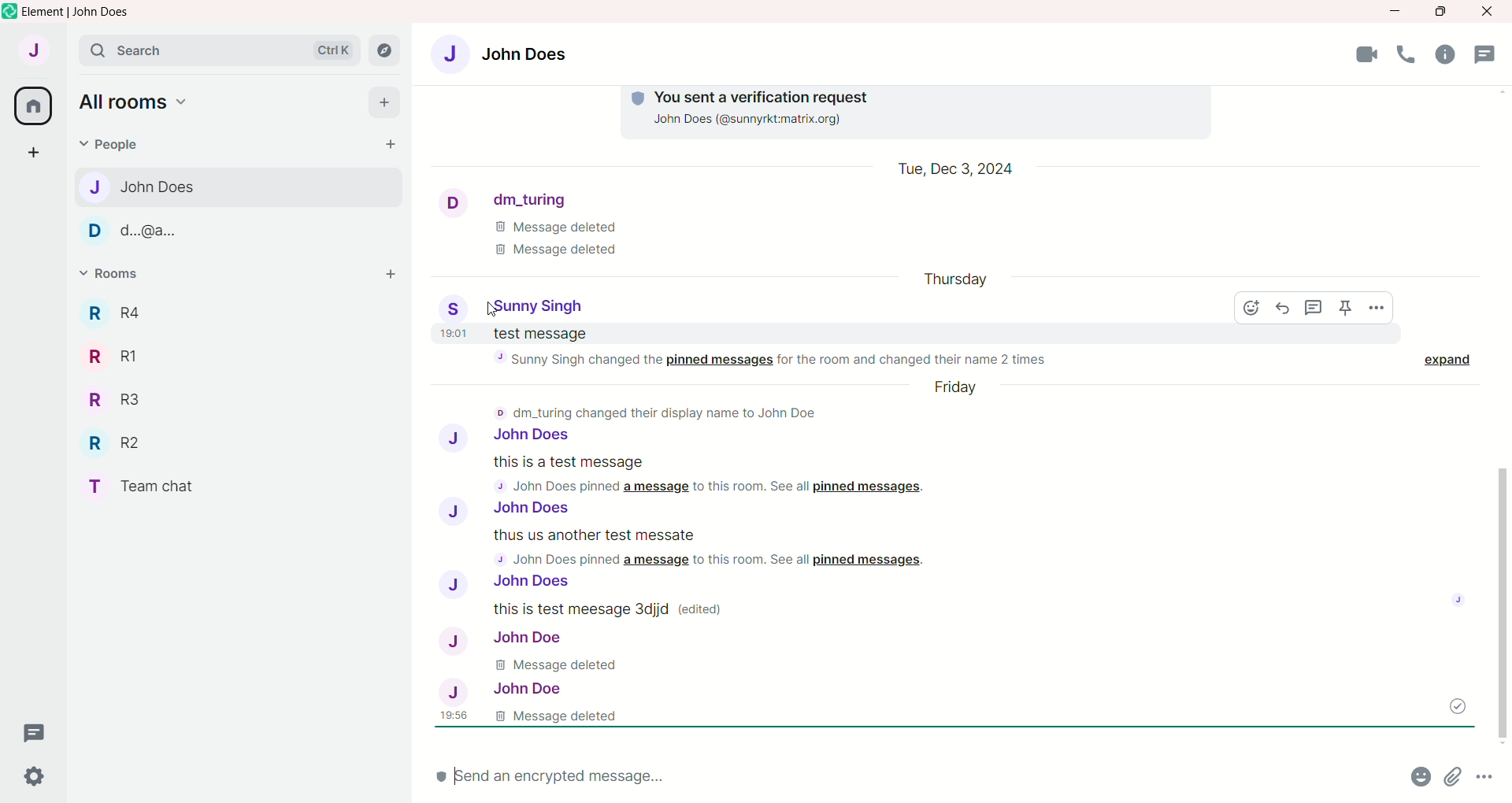 The width and height of the screenshot is (1512, 803). What do you see at coordinates (138, 184) in the screenshot?
I see `john does` at bounding box center [138, 184].